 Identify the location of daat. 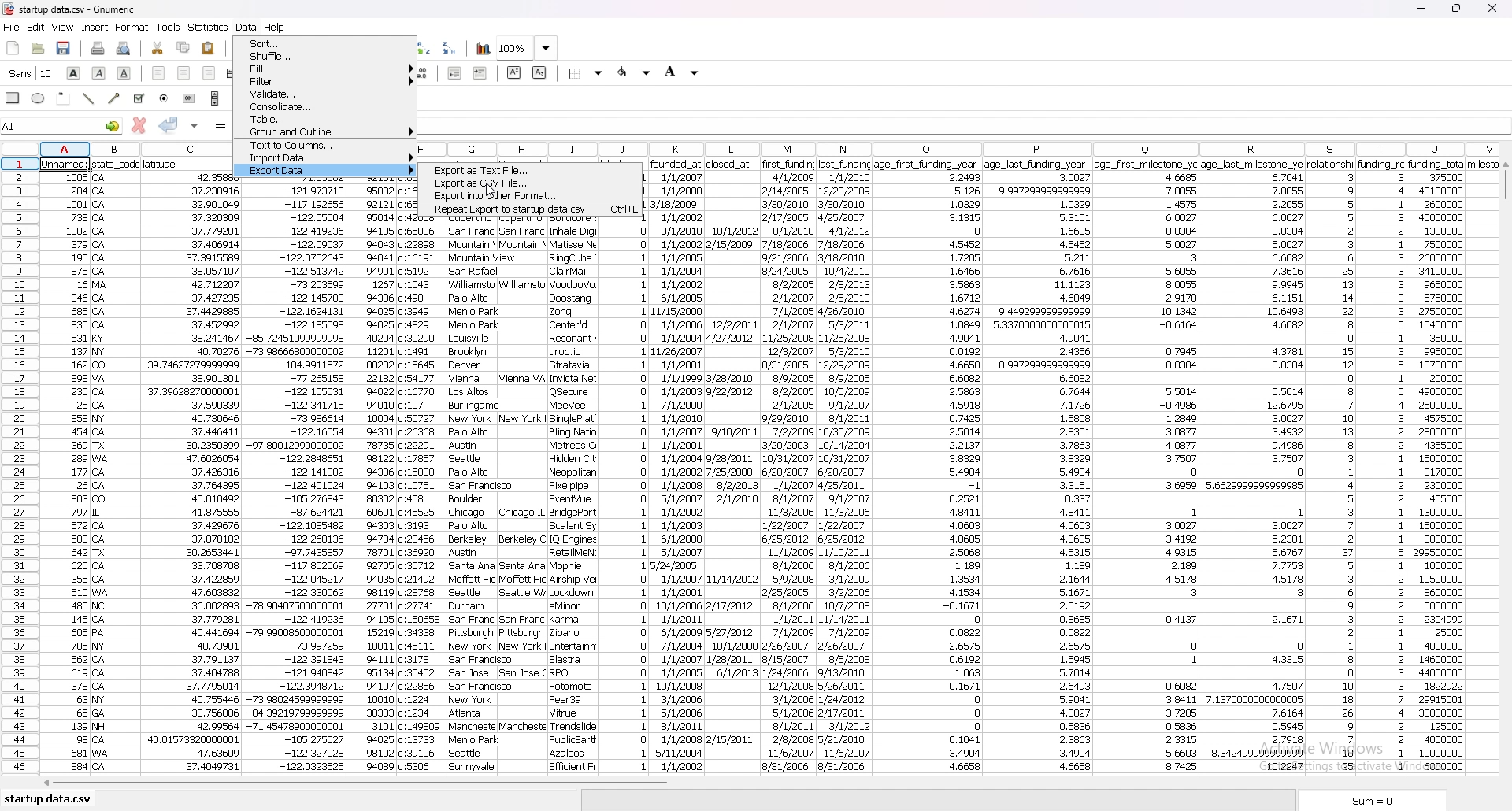
(1254, 465).